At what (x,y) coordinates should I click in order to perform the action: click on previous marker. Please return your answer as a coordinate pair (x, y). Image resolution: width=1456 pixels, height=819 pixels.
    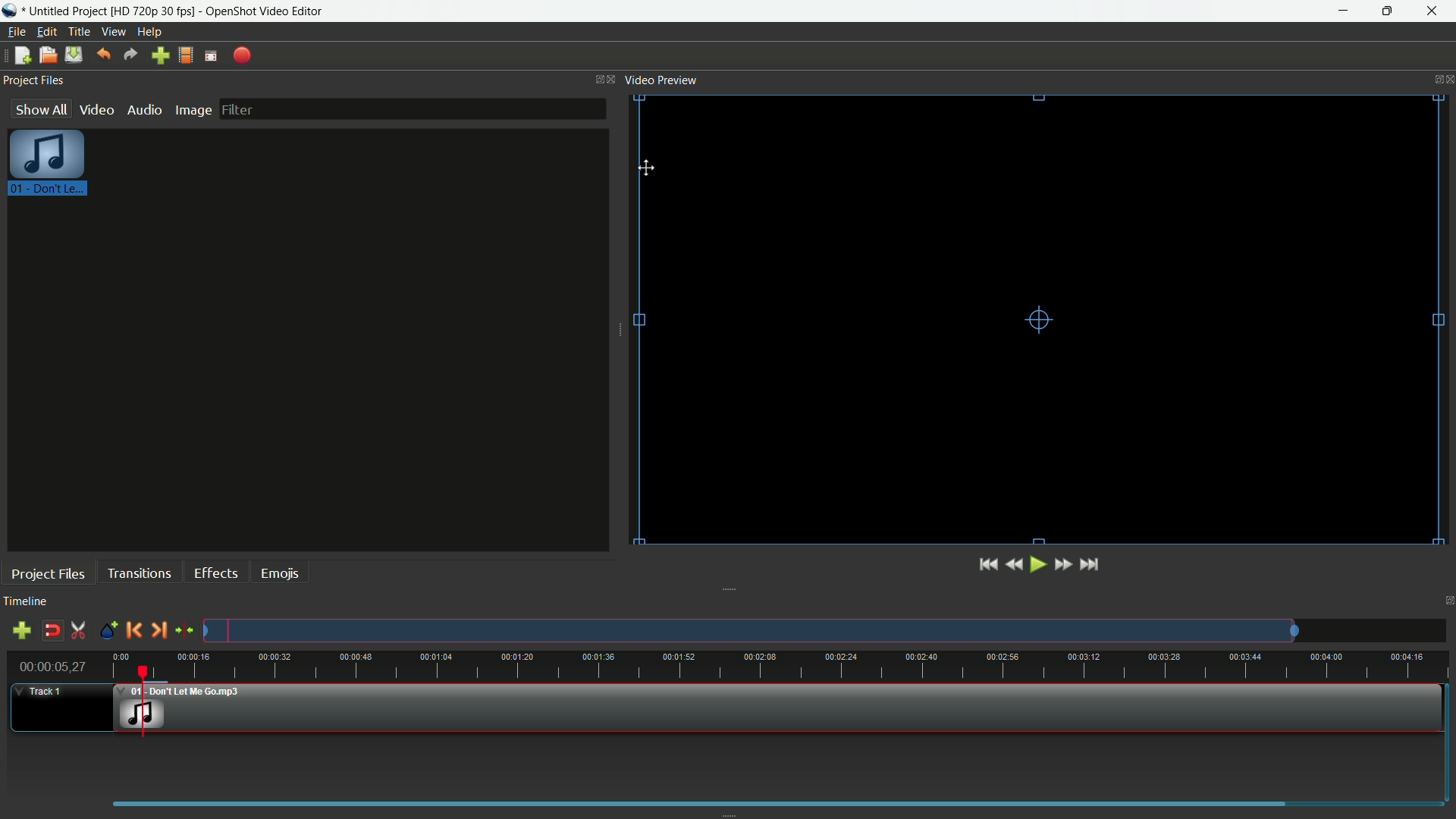
    Looking at the image, I should click on (135, 630).